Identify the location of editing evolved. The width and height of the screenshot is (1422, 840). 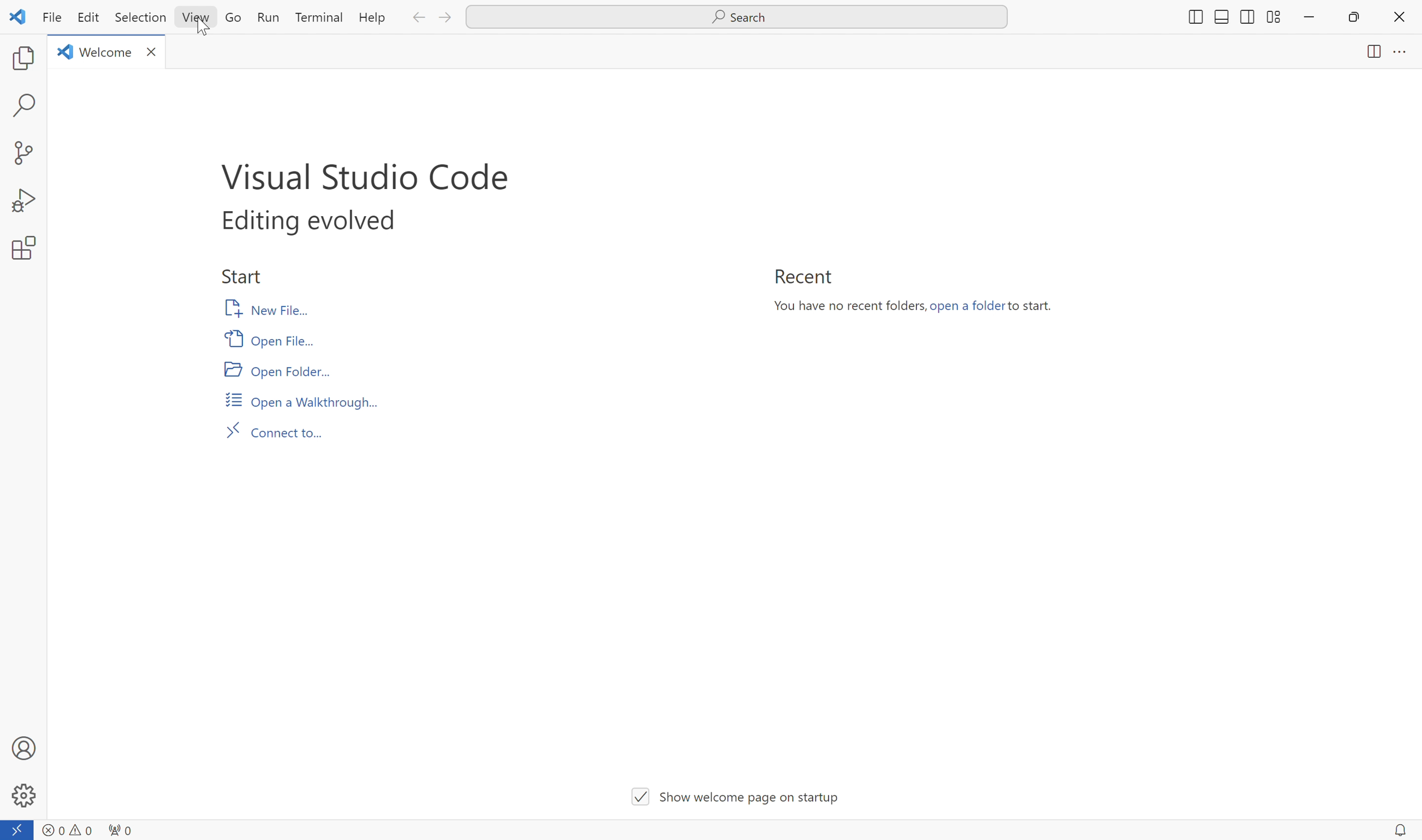
(318, 221).